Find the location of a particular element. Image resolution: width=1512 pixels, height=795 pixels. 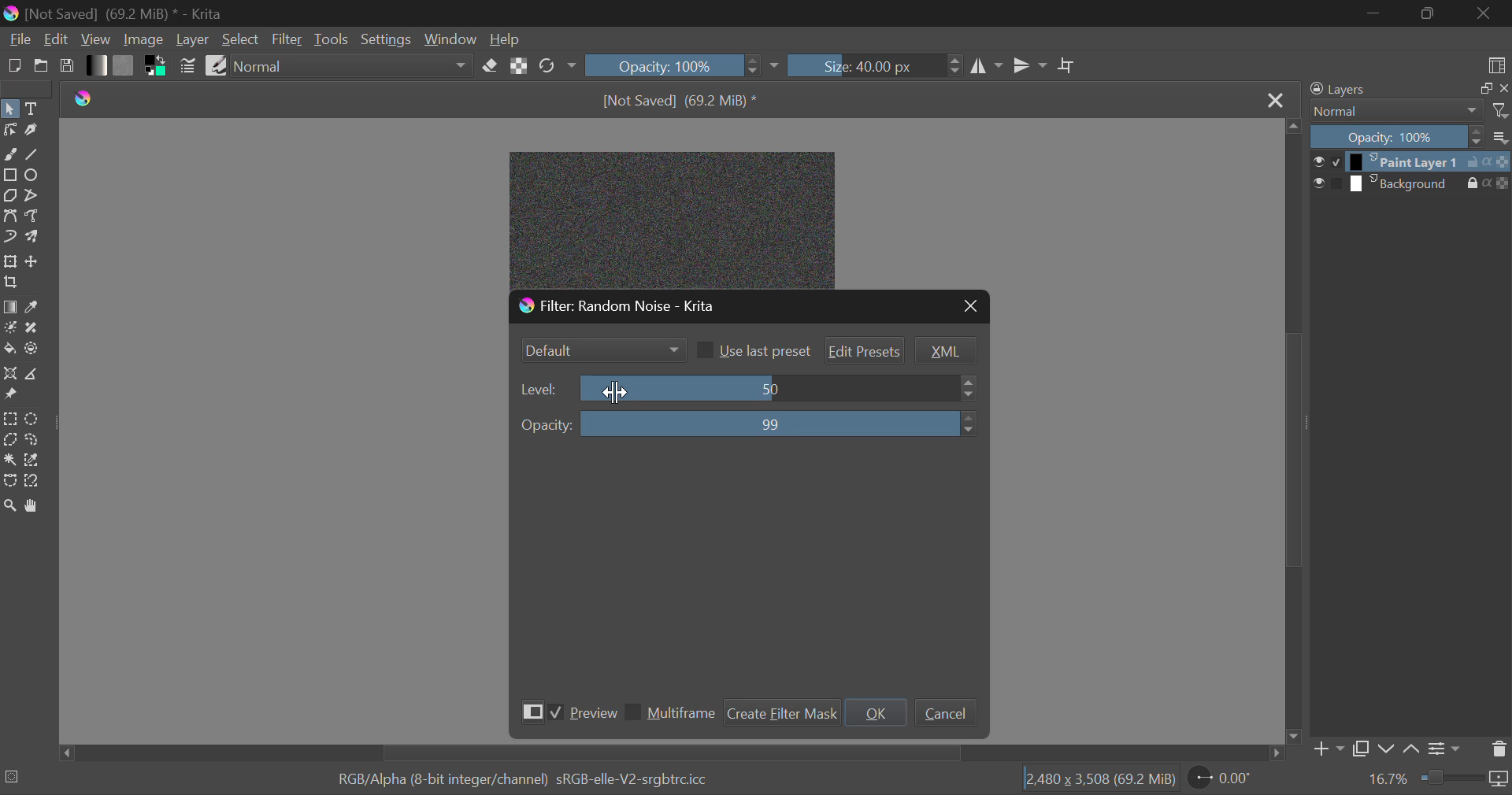

Copy Layer is located at coordinates (1359, 747).